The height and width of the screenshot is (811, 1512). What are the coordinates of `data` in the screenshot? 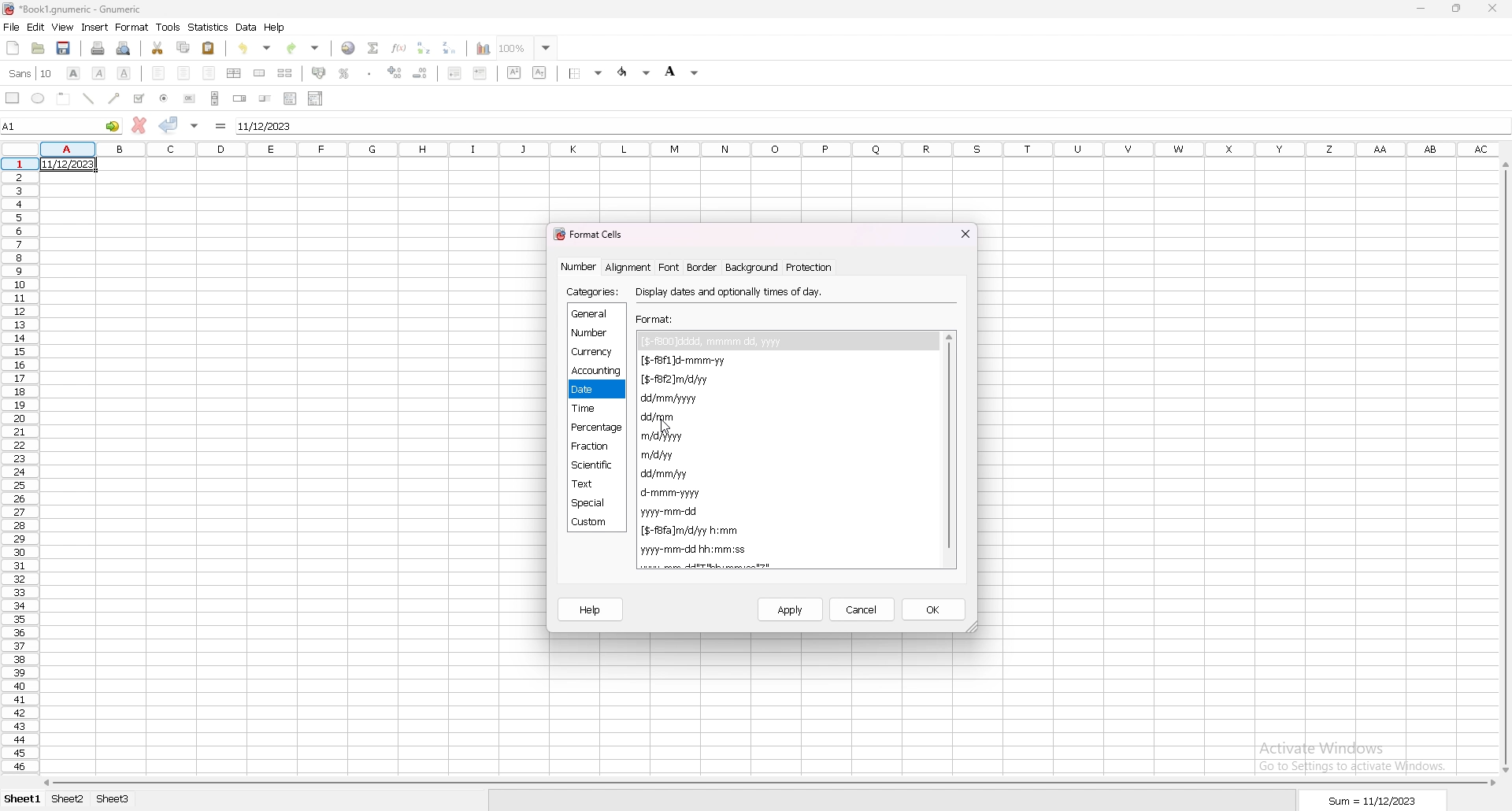 It's located at (246, 28).